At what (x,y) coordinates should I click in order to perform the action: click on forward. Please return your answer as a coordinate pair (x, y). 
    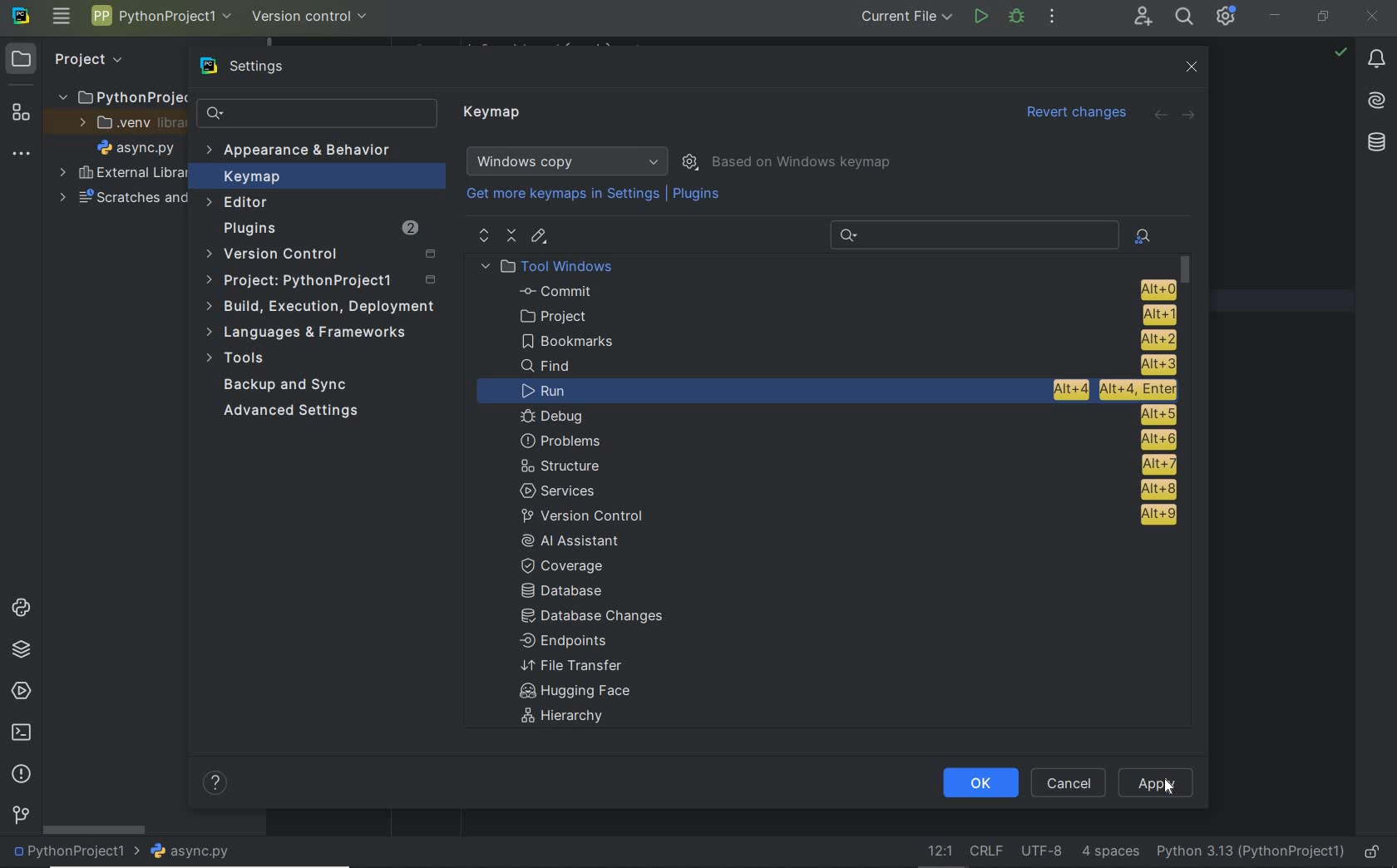
    Looking at the image, I should click on (1190, 114).